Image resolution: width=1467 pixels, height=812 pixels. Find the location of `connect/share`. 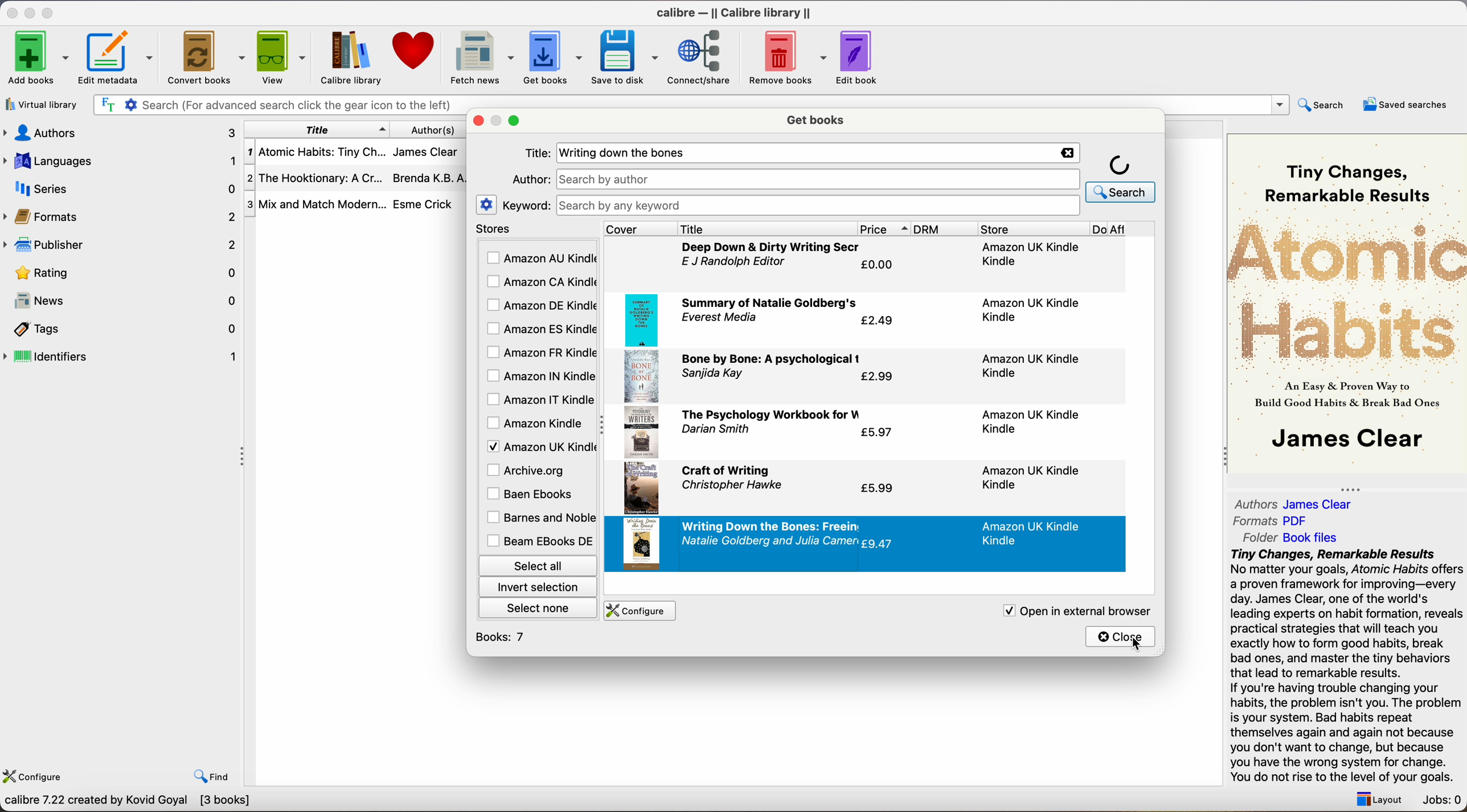

connect/share is located at coordinates (703, 56).